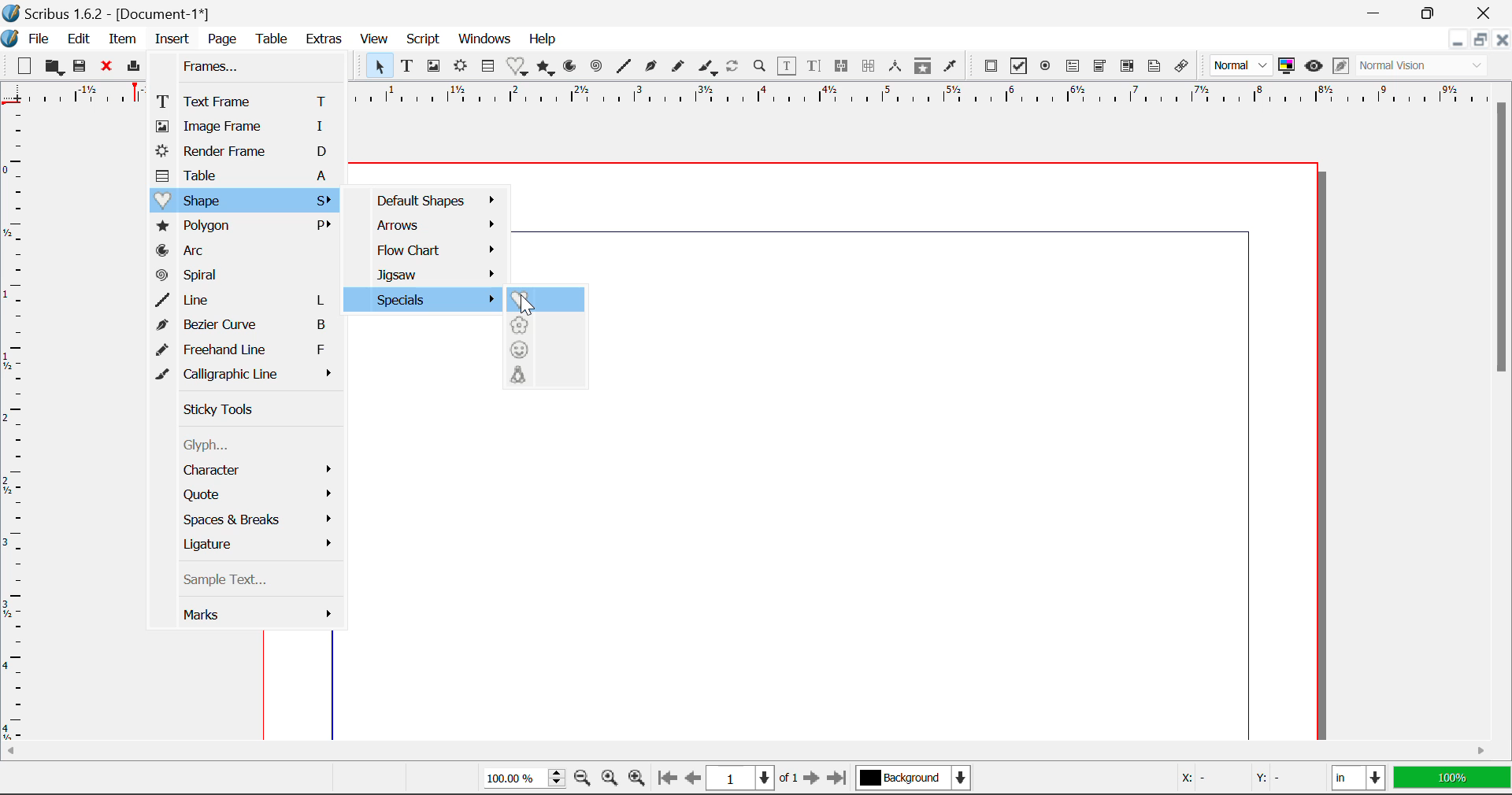  I want to click on Insert Special Shapes, so click(518, 68).